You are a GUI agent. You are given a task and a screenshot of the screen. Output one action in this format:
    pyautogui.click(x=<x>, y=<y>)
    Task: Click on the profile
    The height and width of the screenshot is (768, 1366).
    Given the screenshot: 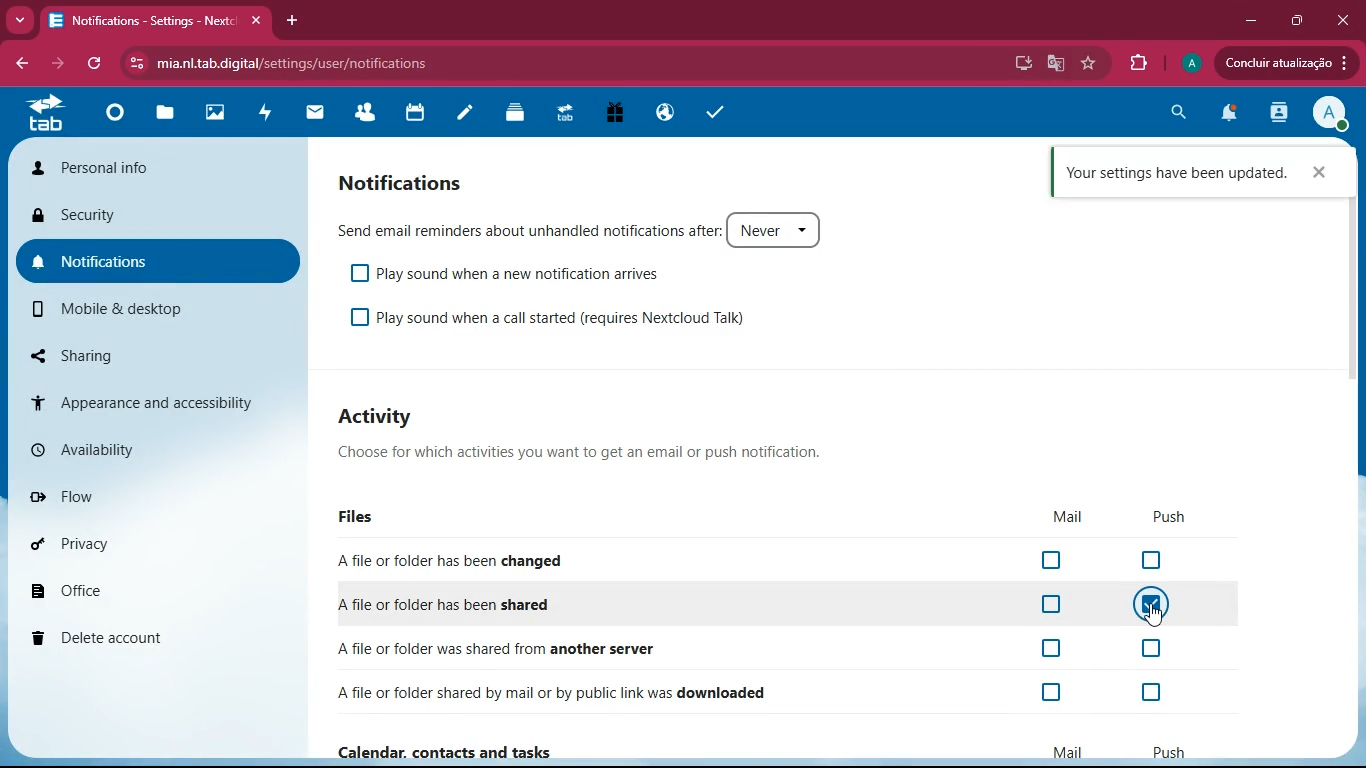 What is the action you would take?
    pyautogui.click(x=1188, y=63)
    